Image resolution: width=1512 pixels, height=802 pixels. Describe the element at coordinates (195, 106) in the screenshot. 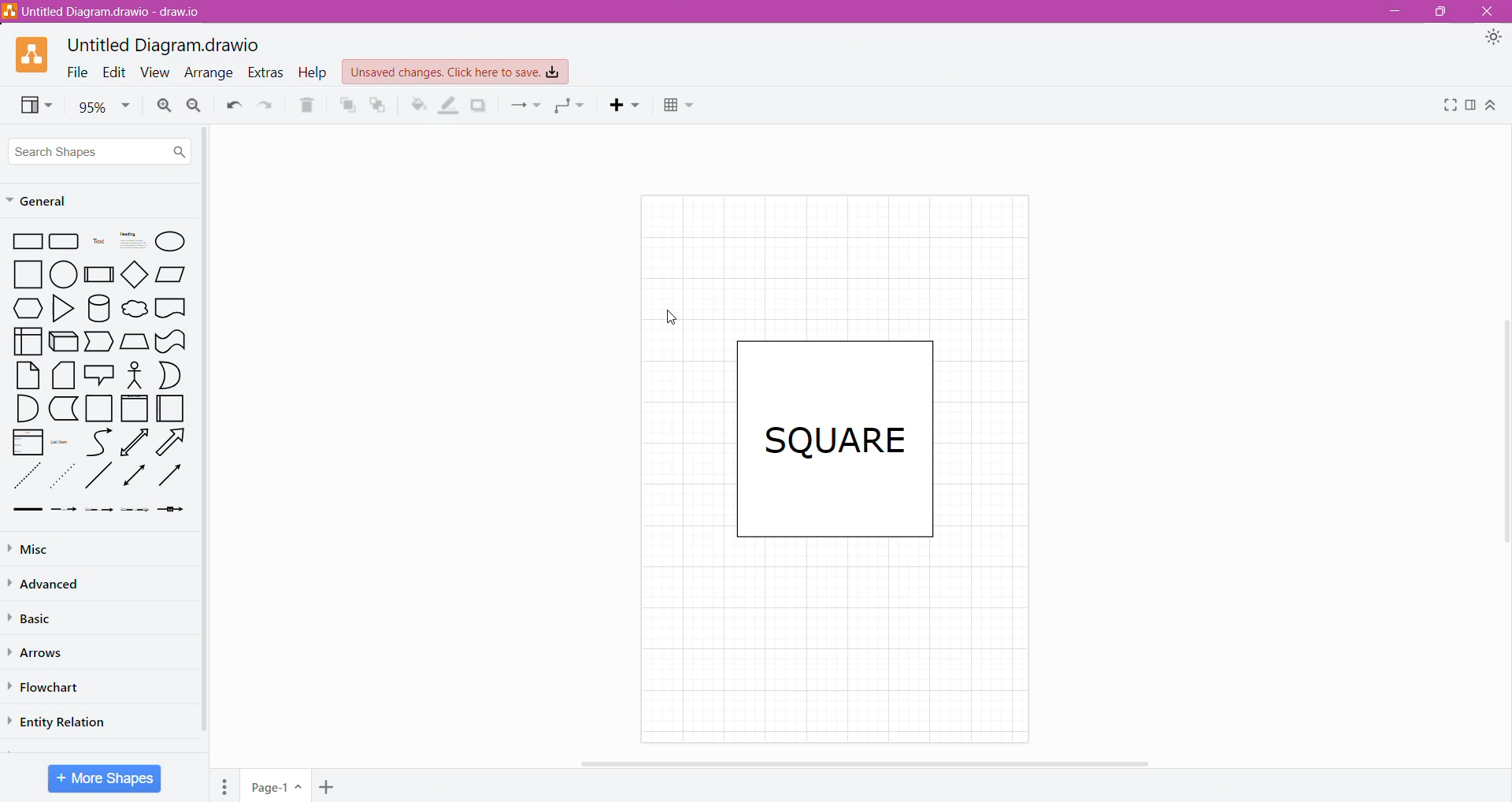

I see `Zoom Out` at that location.